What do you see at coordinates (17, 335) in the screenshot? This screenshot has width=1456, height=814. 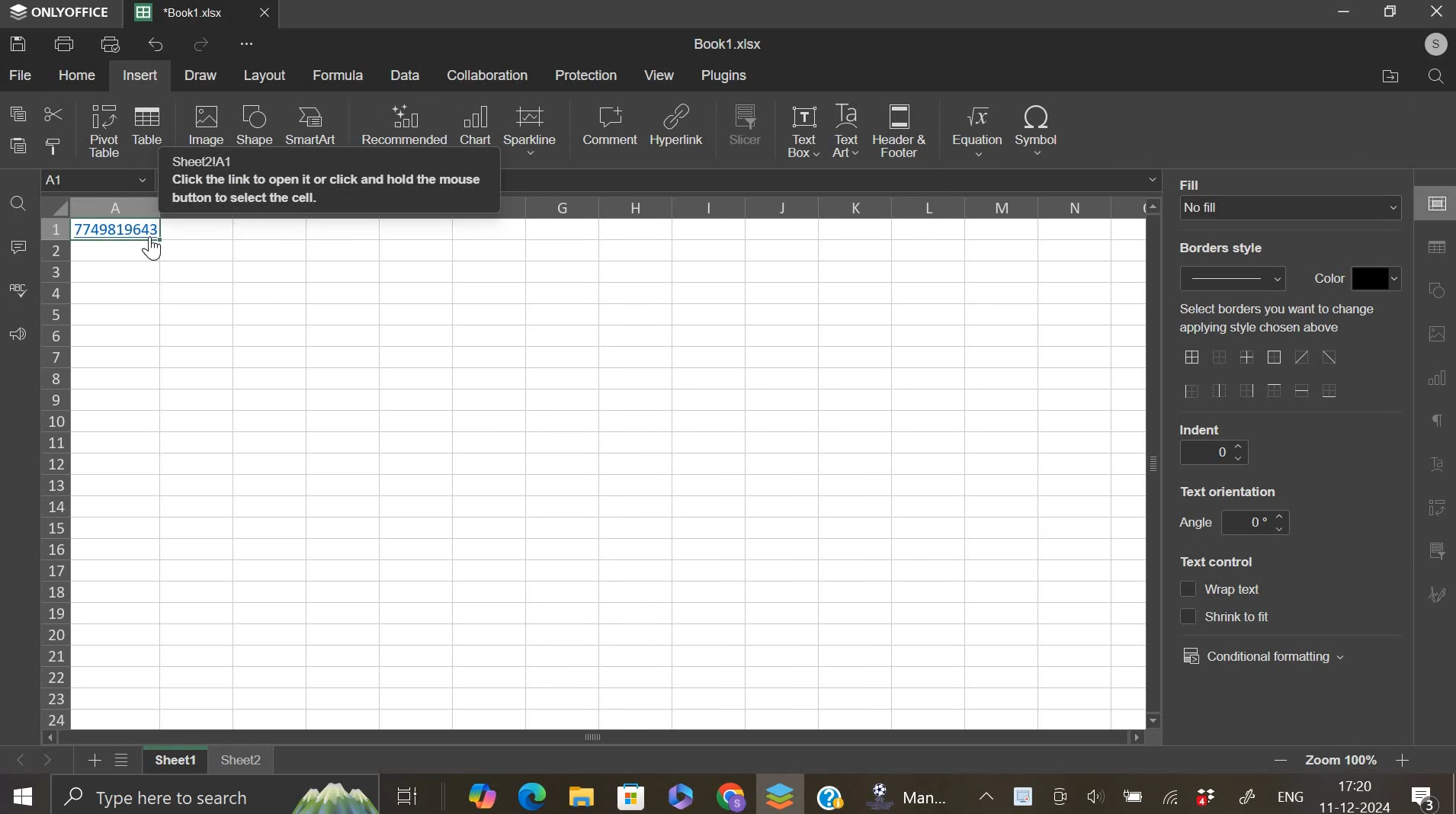 I see `feedback` at bounding box center [17, 335].